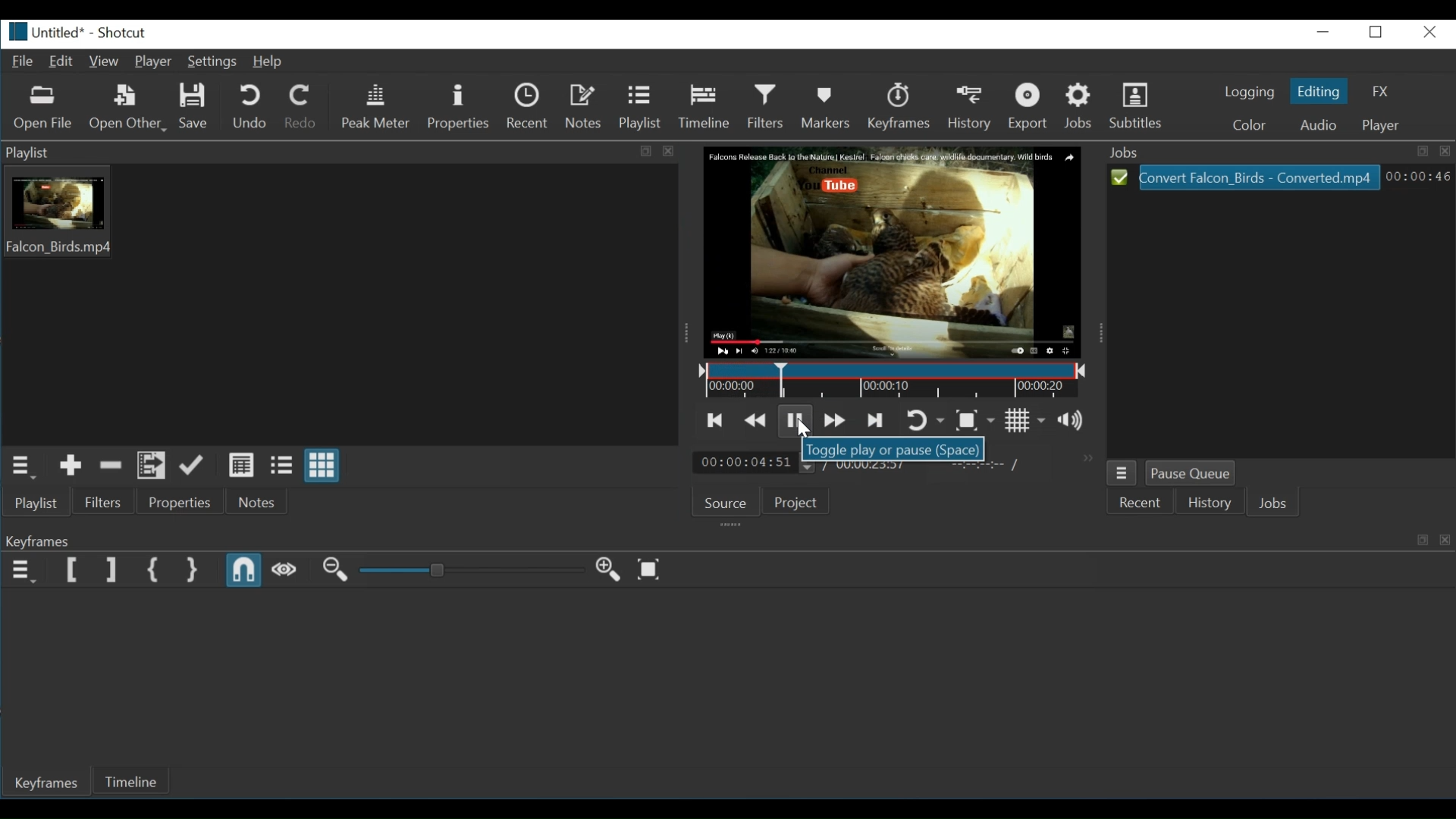 The image size is (1456, 819). What do you see at coordinates (22, 60) in the screenshot?
I see `File` at bounding box center [22, 60].